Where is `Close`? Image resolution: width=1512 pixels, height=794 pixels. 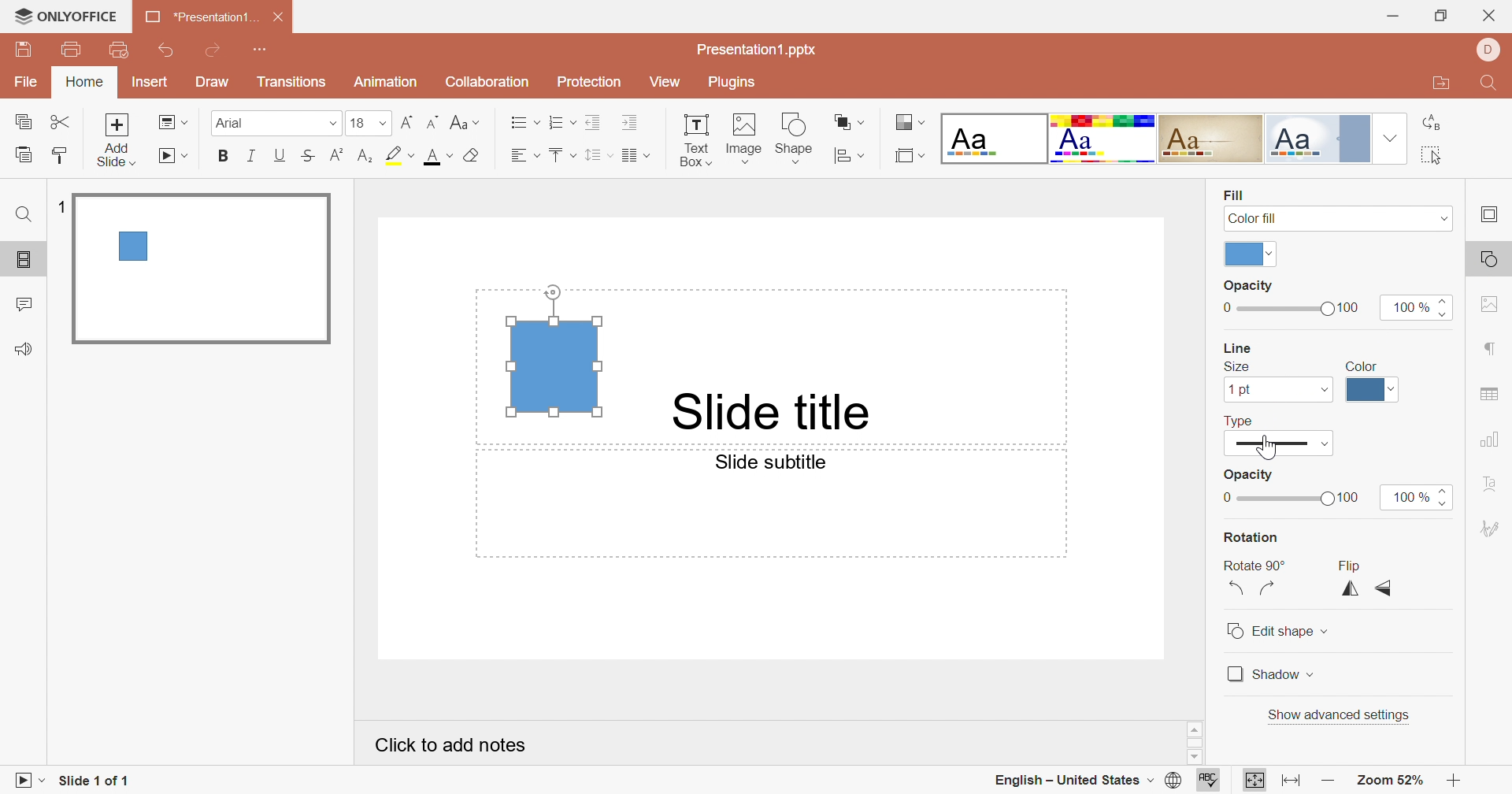 Close is located at coordinates (1490, 16).